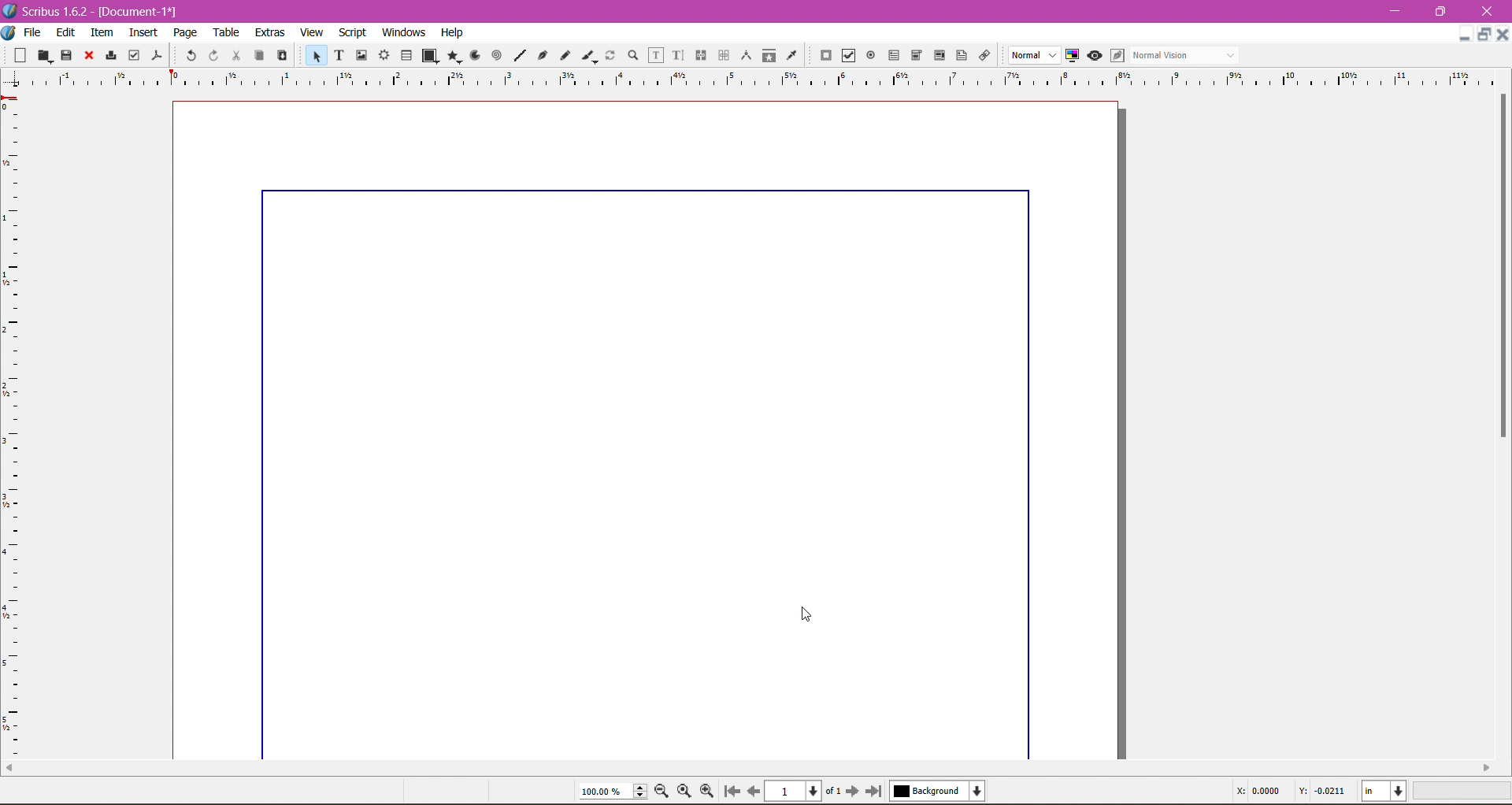 The image size is (1512, 805). I want to click on Text Annotation, so click(960, 56).